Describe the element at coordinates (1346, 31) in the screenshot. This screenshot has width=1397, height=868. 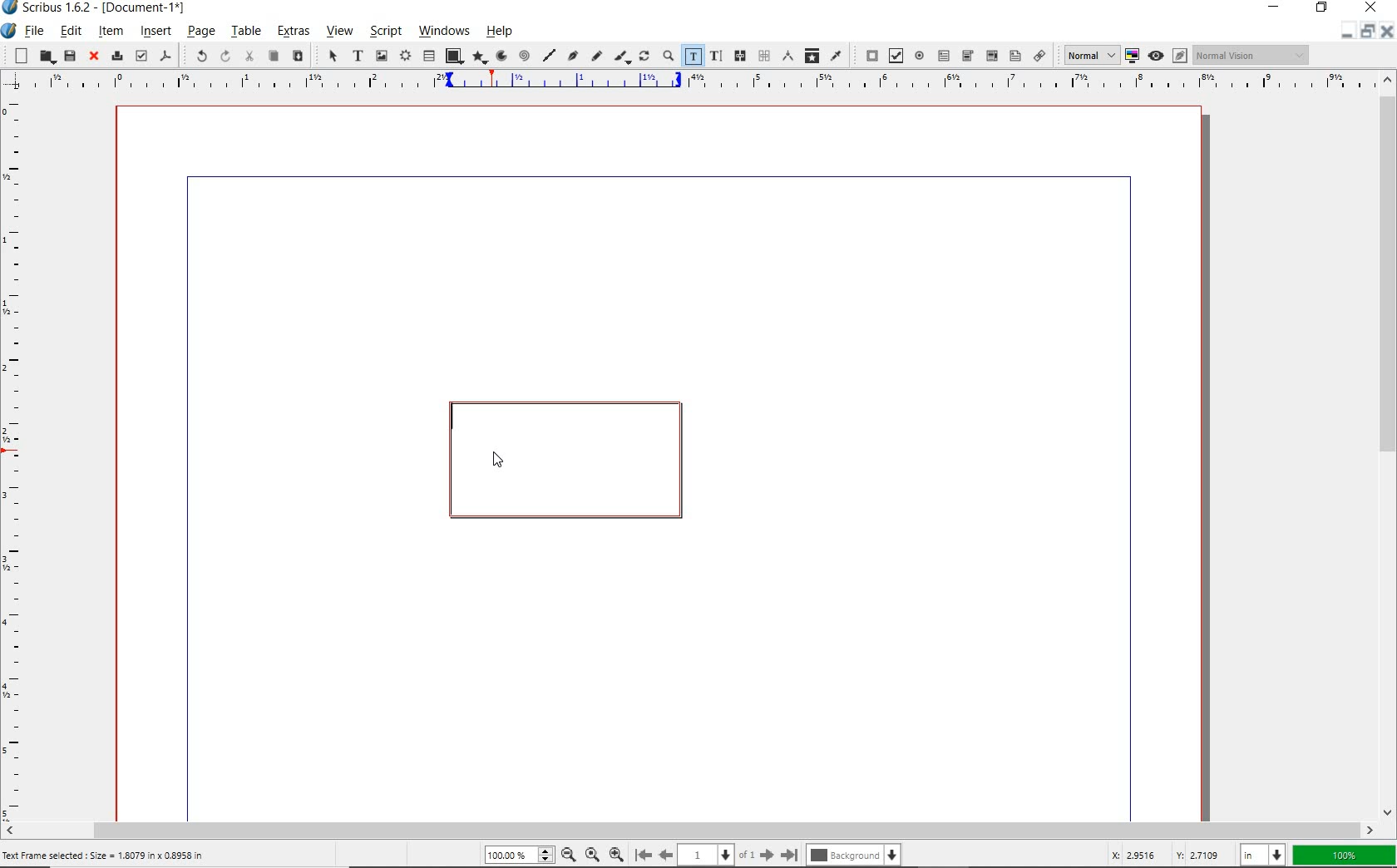
I see `Restore Down` at that location.